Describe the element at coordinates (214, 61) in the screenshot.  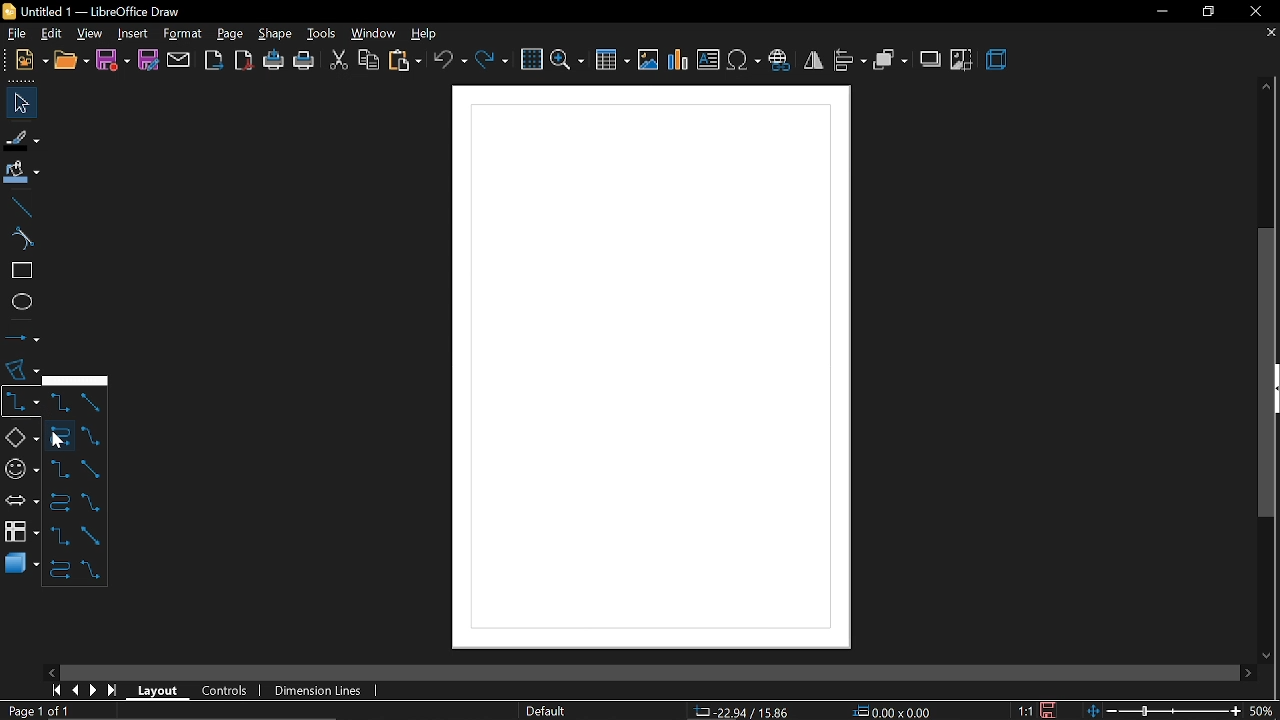
I see `export` at that location.